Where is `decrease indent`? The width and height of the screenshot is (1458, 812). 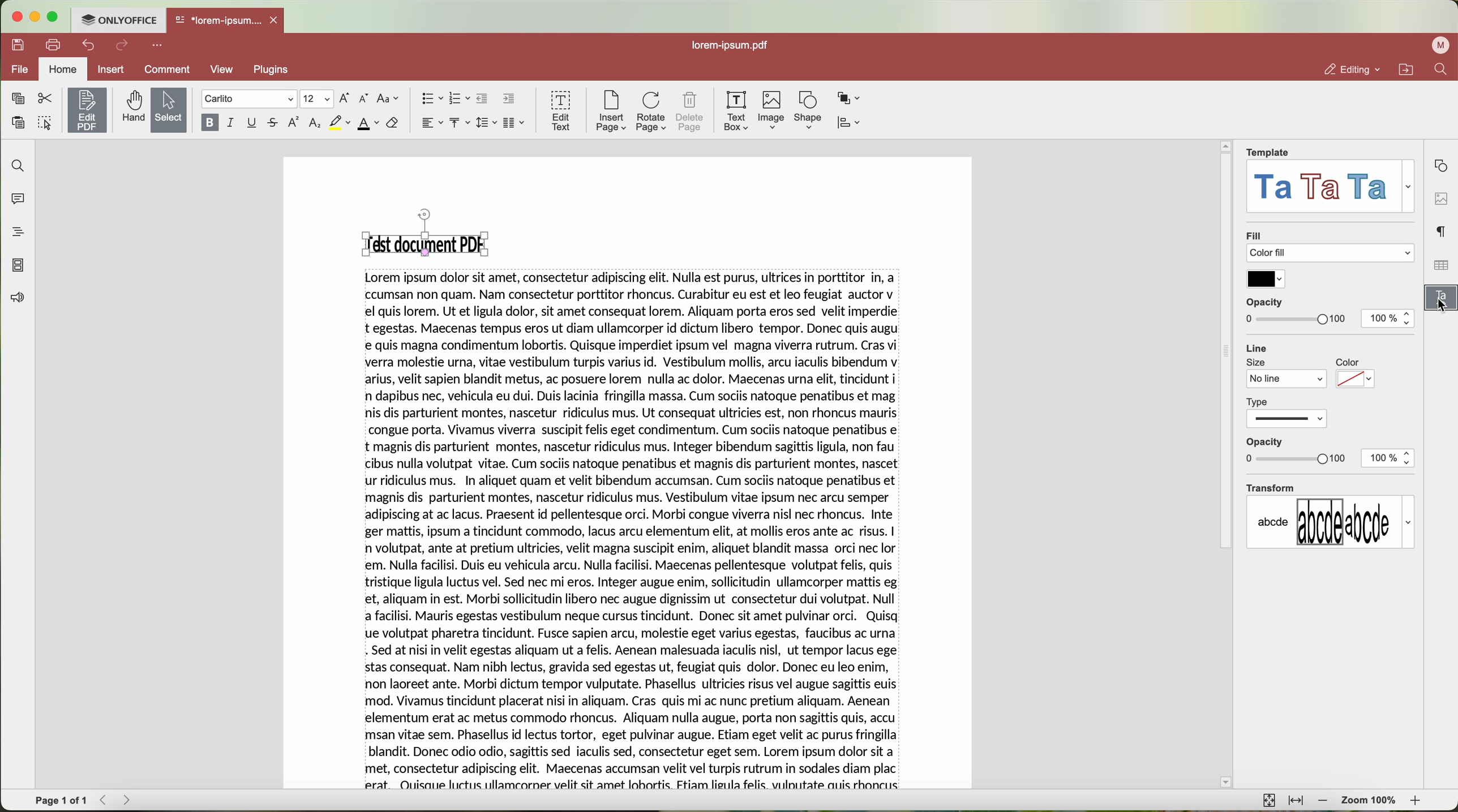 decrease indent is located at coordinates (484, 99).